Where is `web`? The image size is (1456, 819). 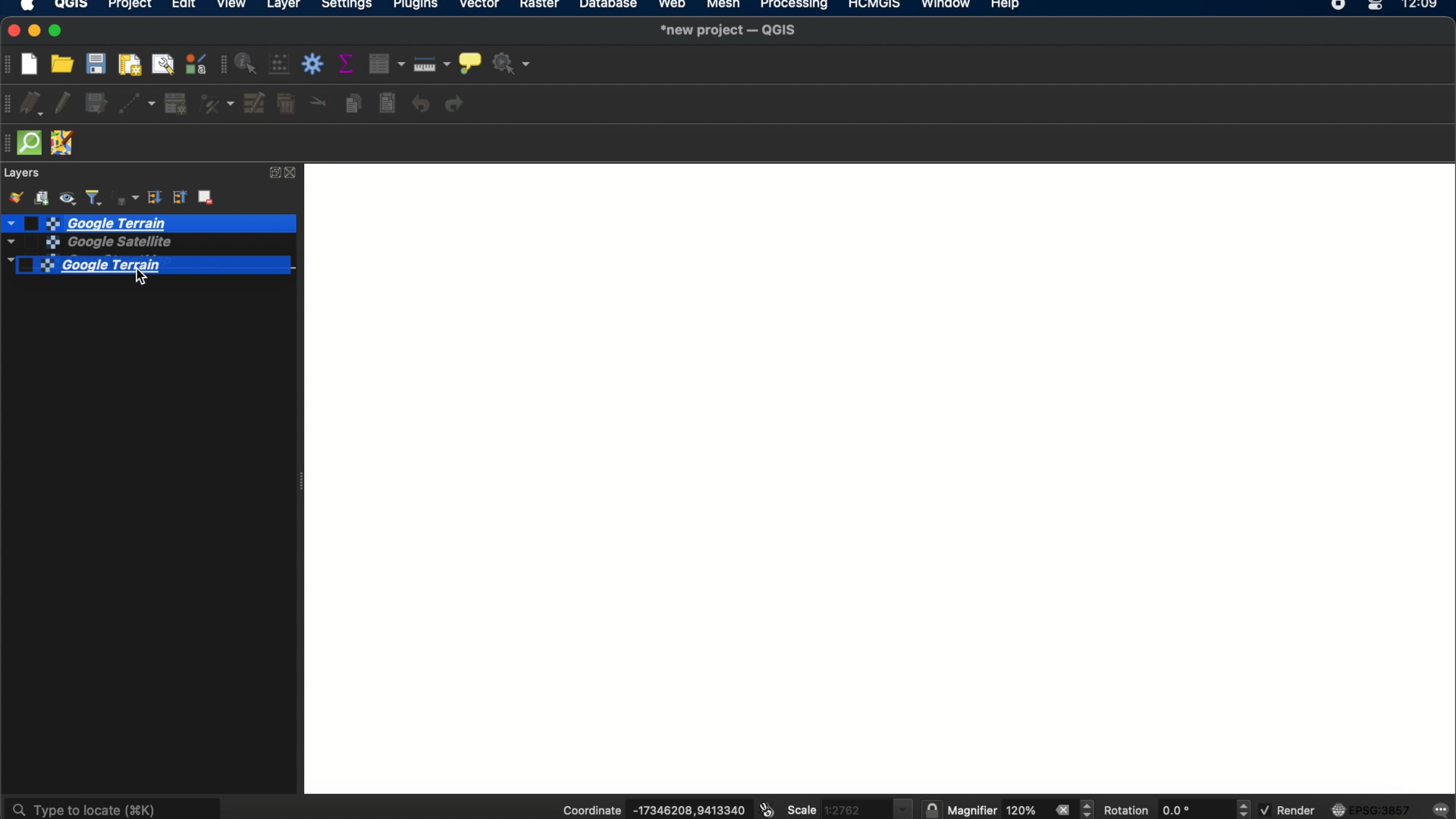
web is located at coordinates (673, 6).